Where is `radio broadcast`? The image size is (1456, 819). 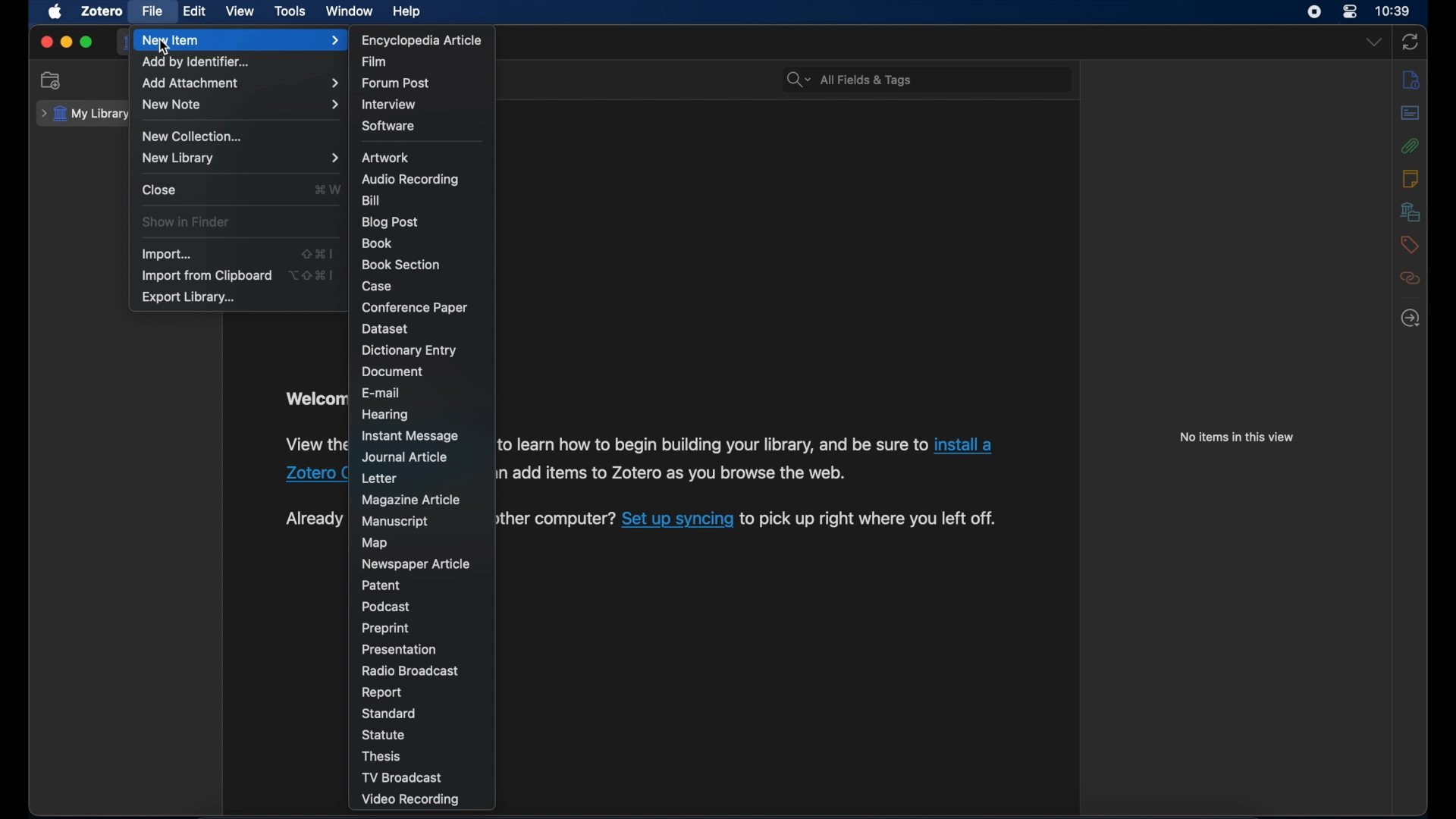
radio broadcast is located at coordinates (411, 671).